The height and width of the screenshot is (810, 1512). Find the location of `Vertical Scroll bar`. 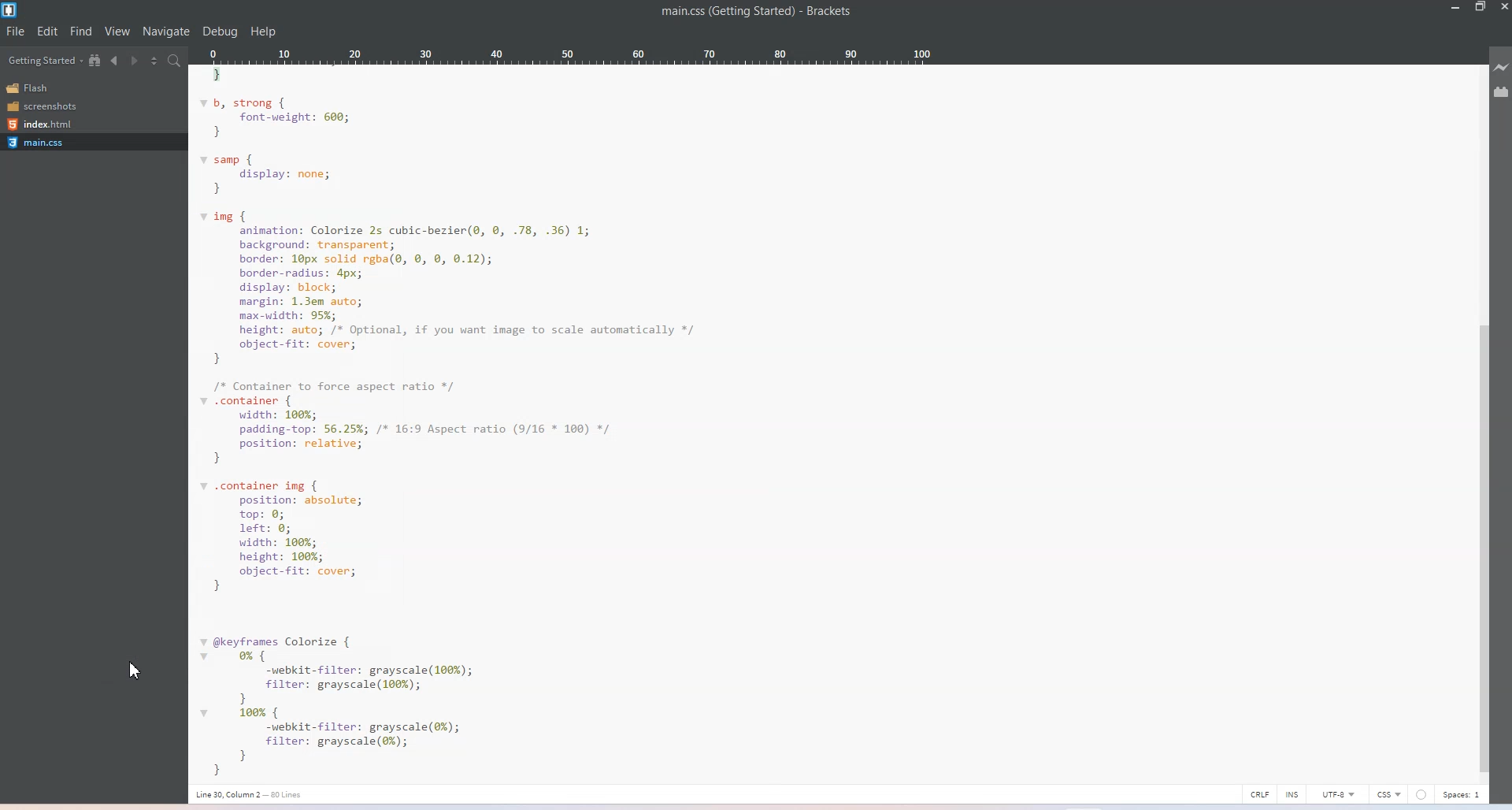

Vertical Scroll bar is located at coordinates (1482, 550).